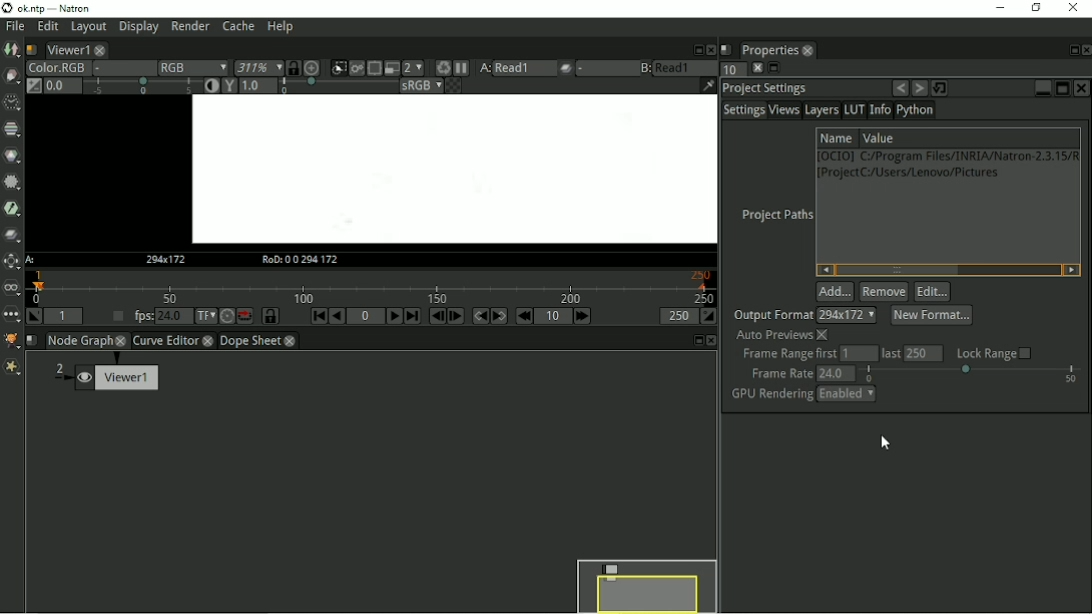  I want to click on Layout, so click(88, 27).